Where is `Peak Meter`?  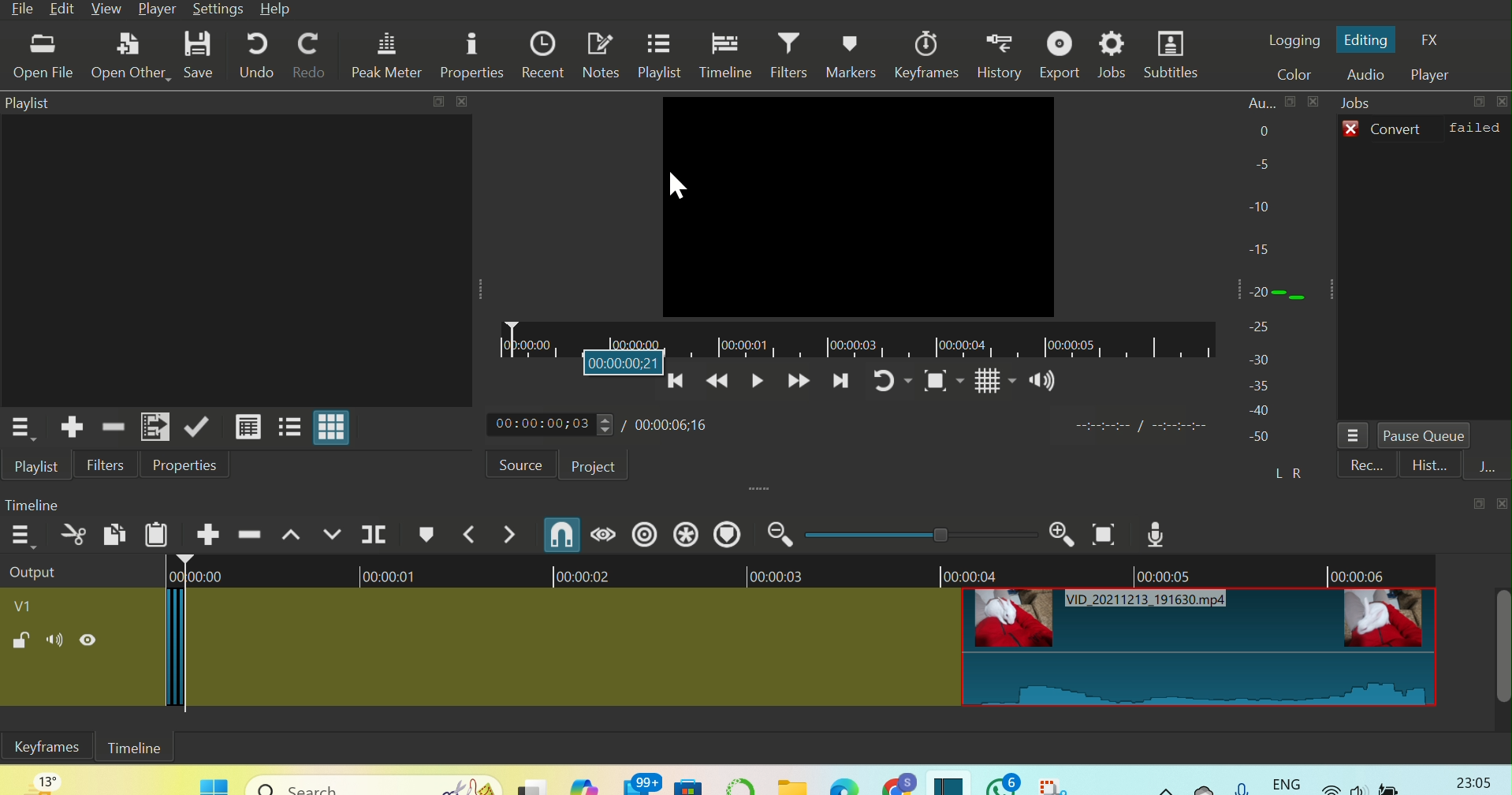
Peak Meter is located at coordinates (388, 54).